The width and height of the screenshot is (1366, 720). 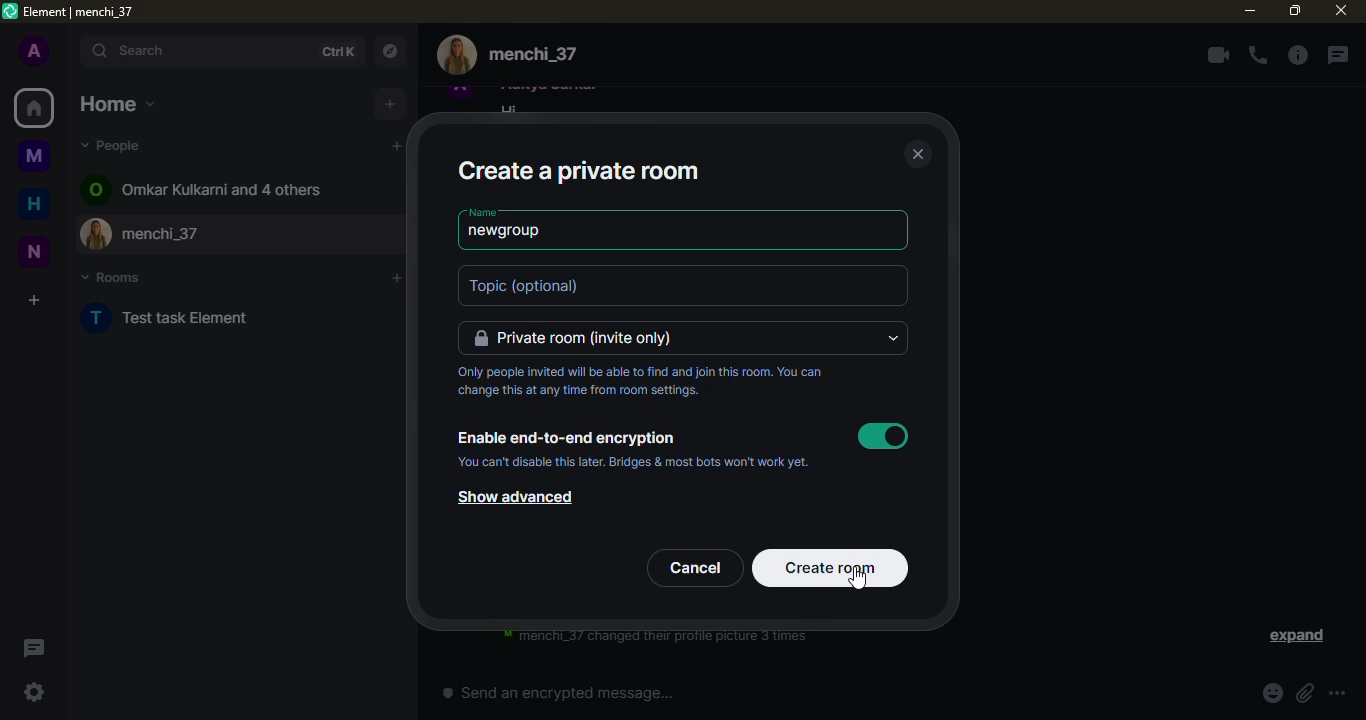 What do you see at coordinates (188, 317) in the screenshot?
I see `Test task Element` at bounding box center [188, 317].